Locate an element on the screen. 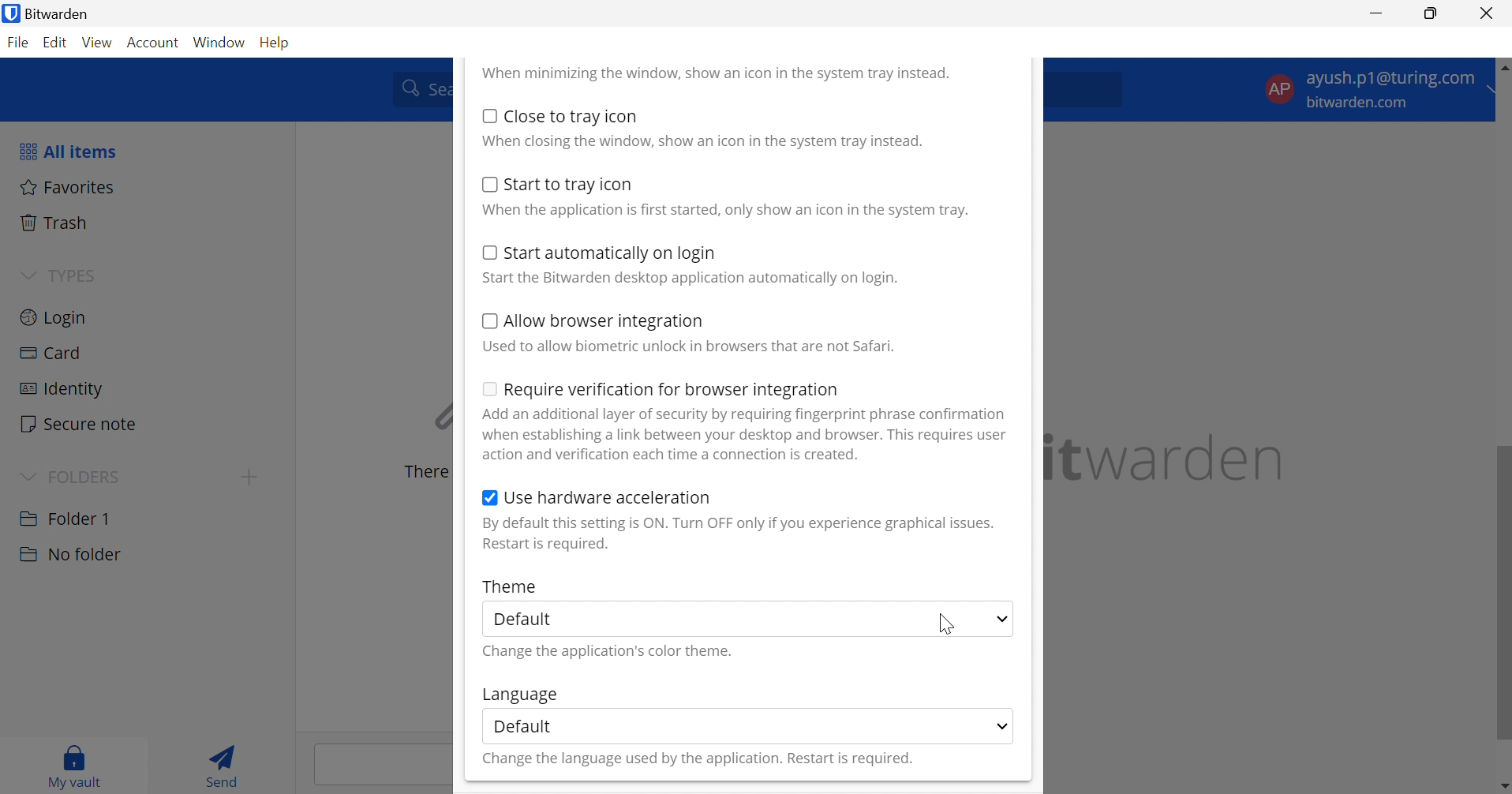 The image size is (1512, 794). Start to tray icon is located at coordinates (571, 185).